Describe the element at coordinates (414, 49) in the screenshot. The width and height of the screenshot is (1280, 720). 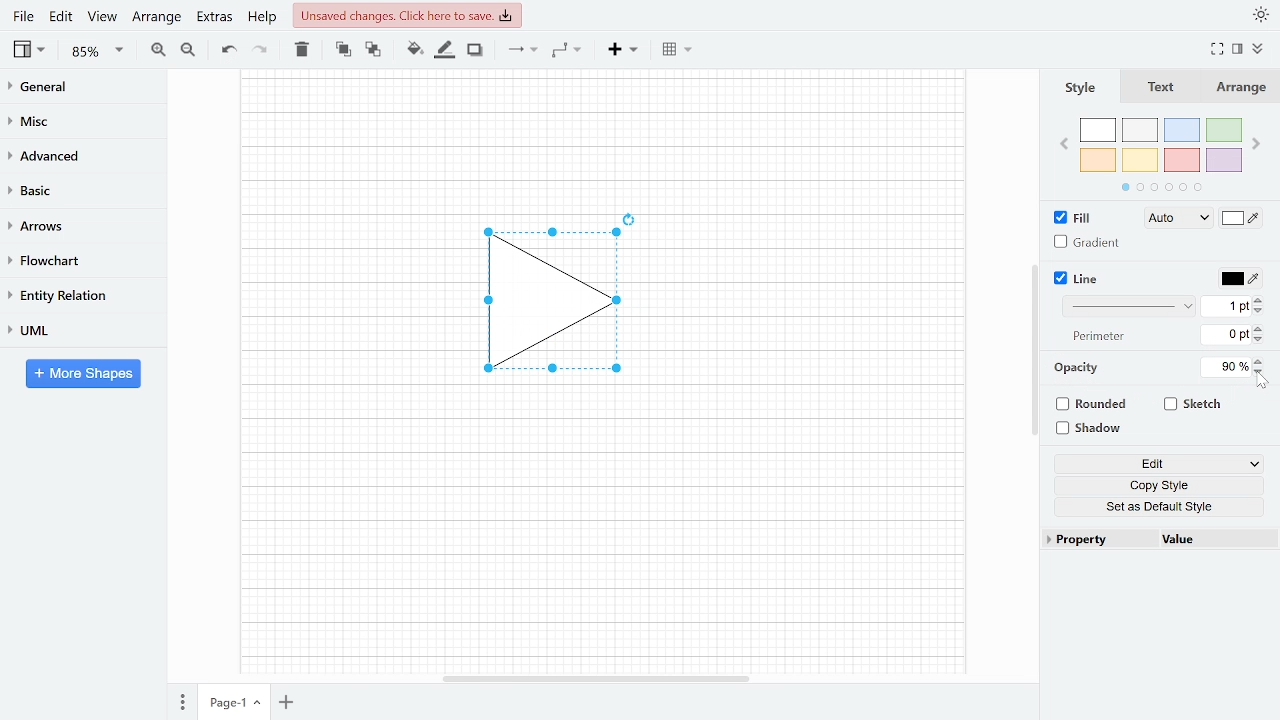
I see `Fill color` at that location.